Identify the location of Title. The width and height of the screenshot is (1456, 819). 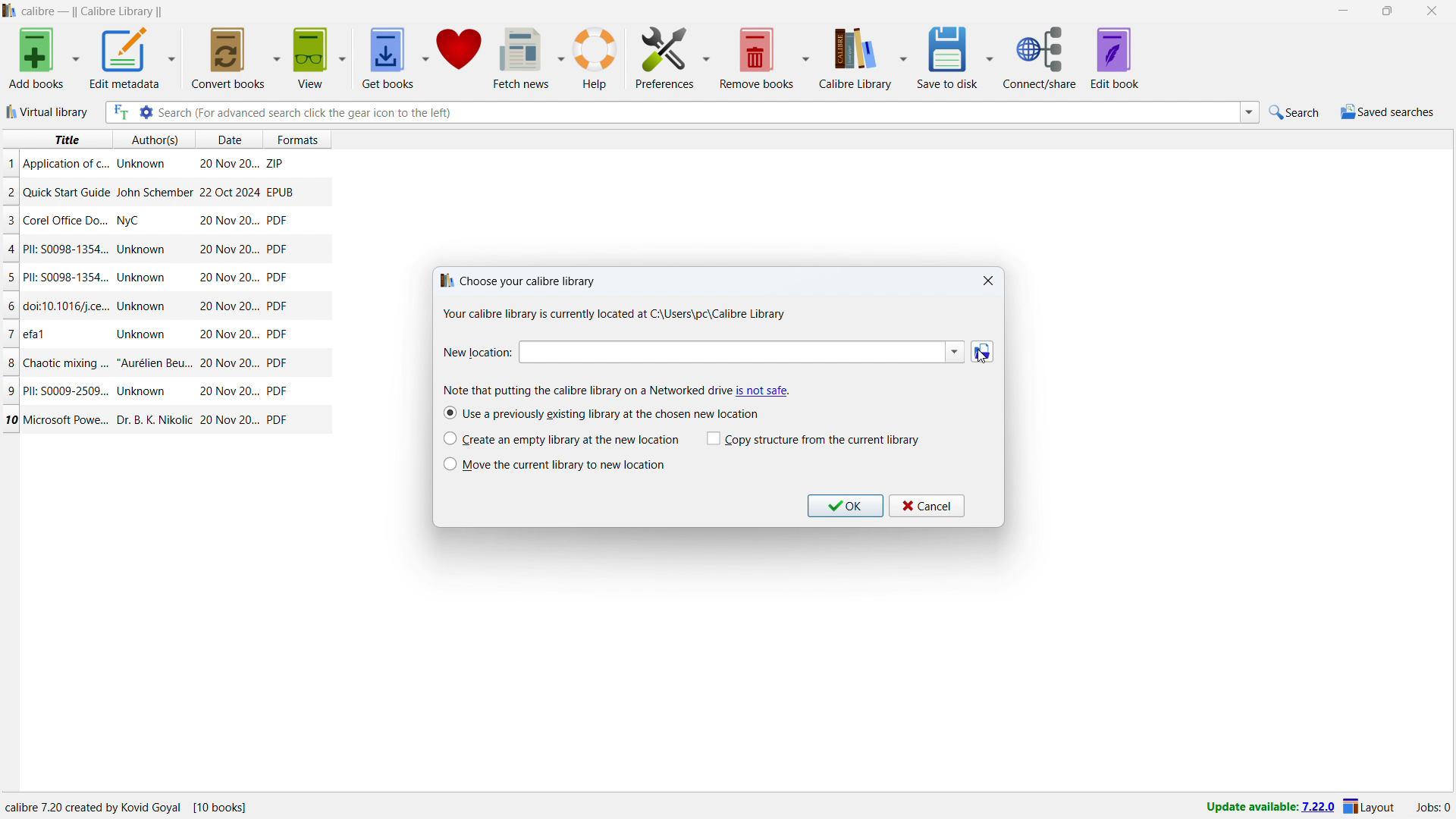
(68, 307).